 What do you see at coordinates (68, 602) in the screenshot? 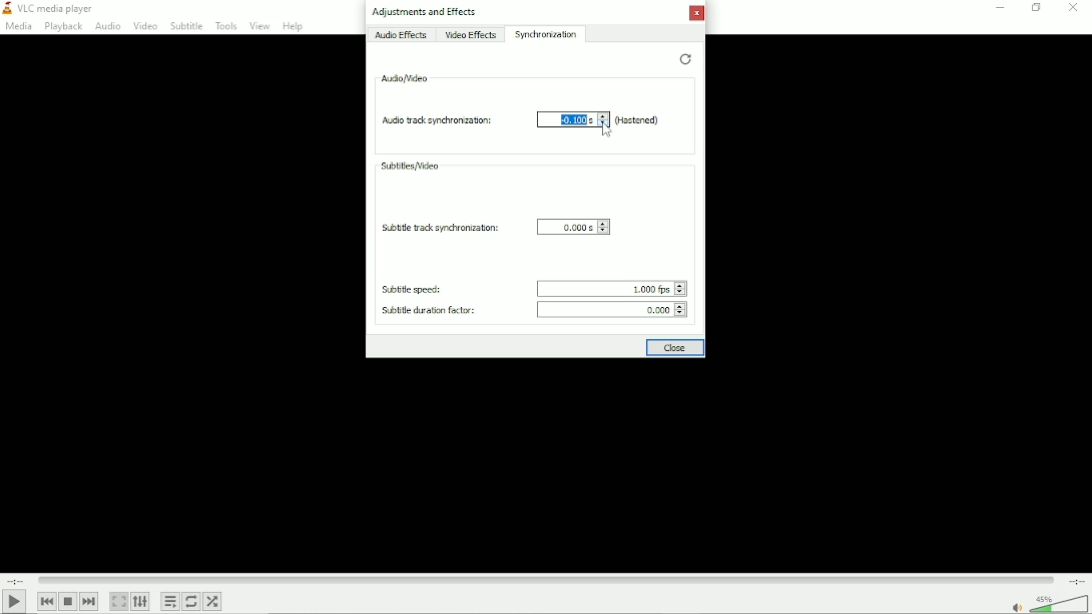
I see `Stop playlist` at bounding box center [68, 602].